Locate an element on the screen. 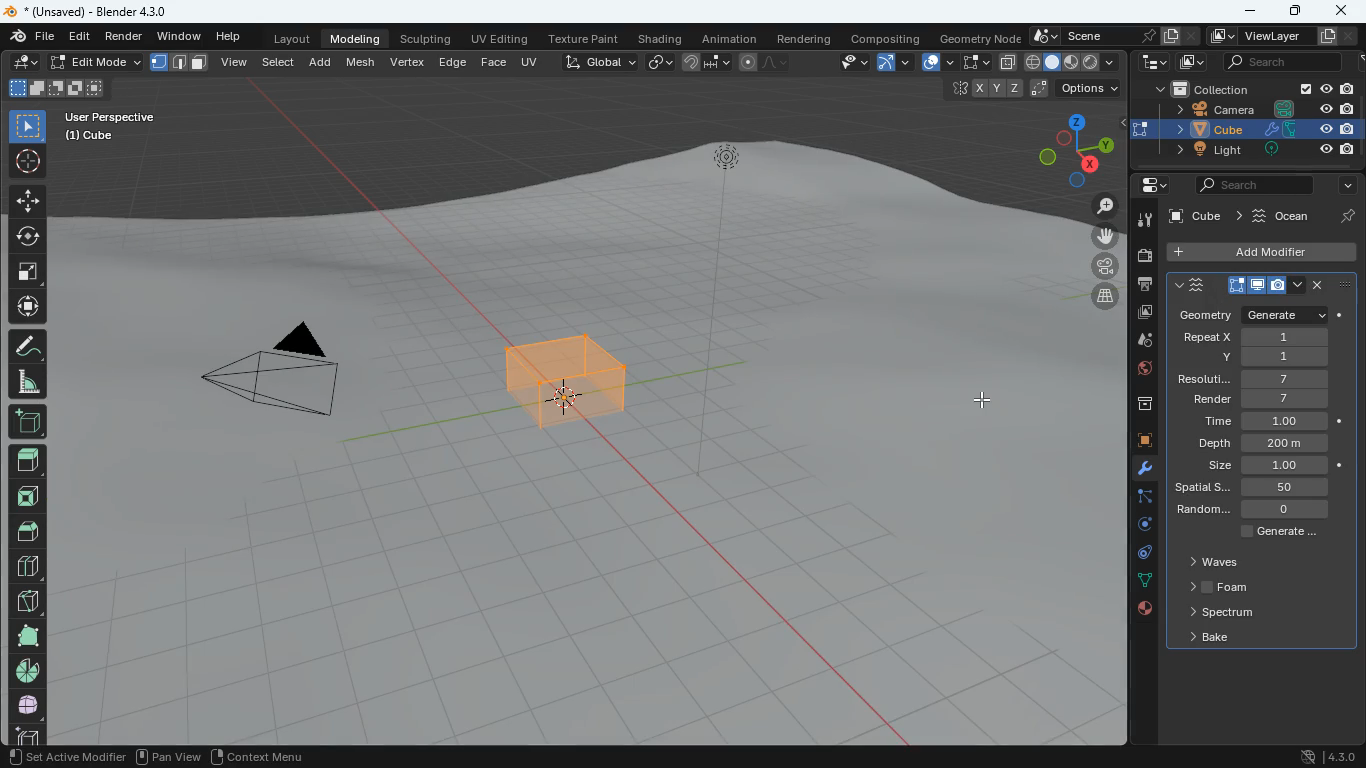 This screenshot has height=768, width=1366. geometry is located at coordinates (1252, 314).